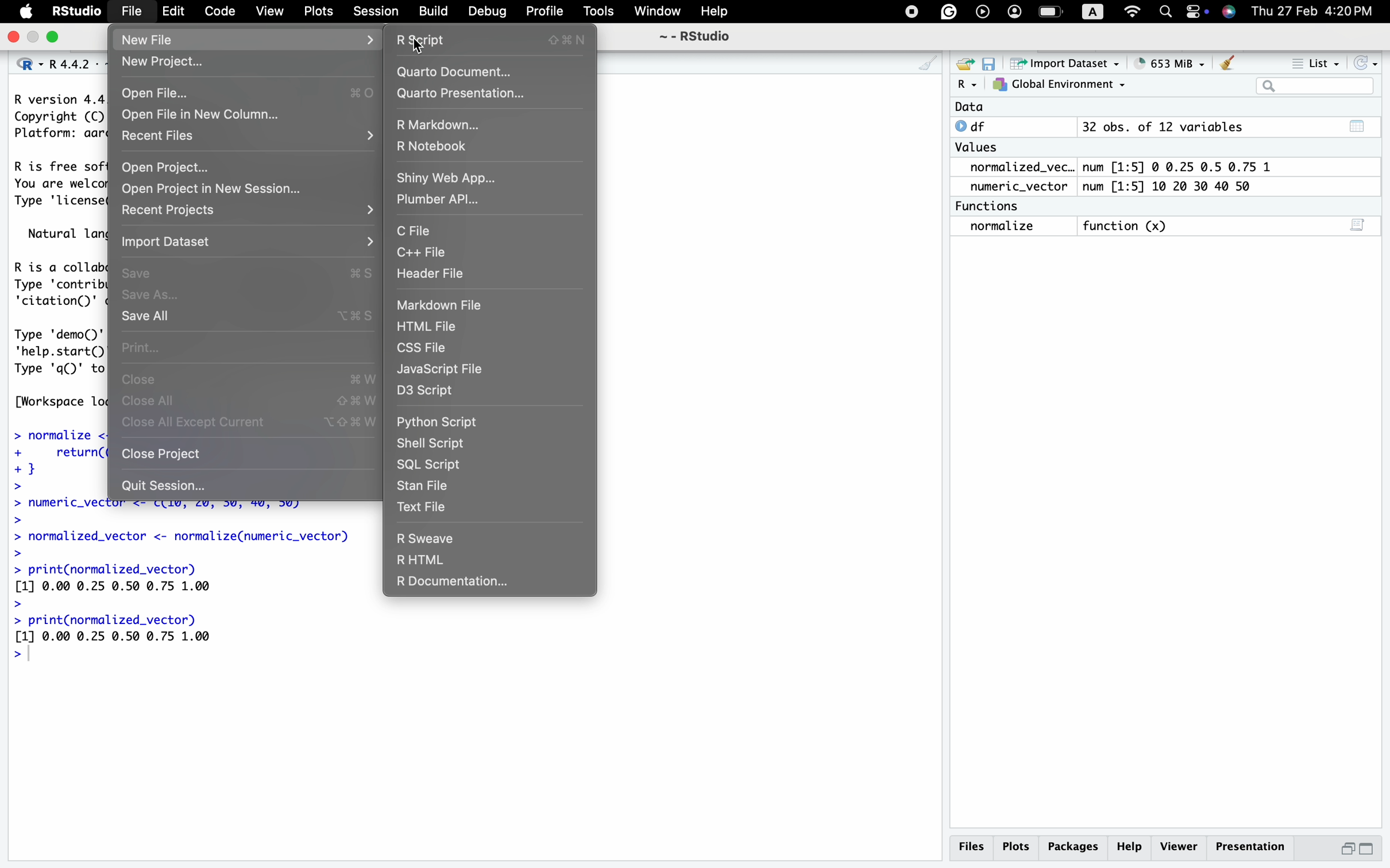 This screenshot has width=1390, height=868. What do you see at coordinates (1177, 63) in the screenshot?
I see `653 MB` at bounding box center [1177, 63].